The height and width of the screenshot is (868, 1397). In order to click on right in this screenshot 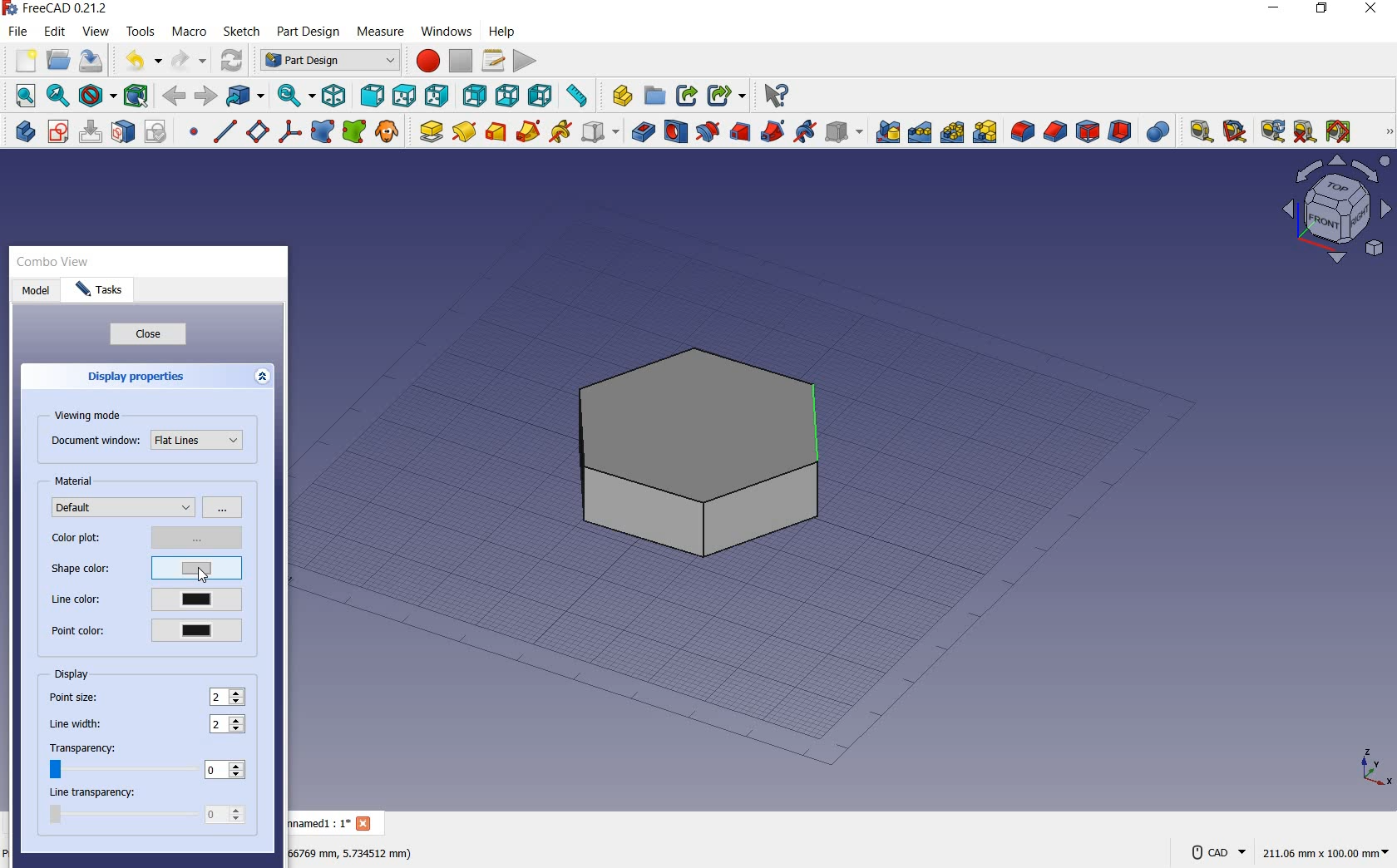, I will do `click(438, 96)`.